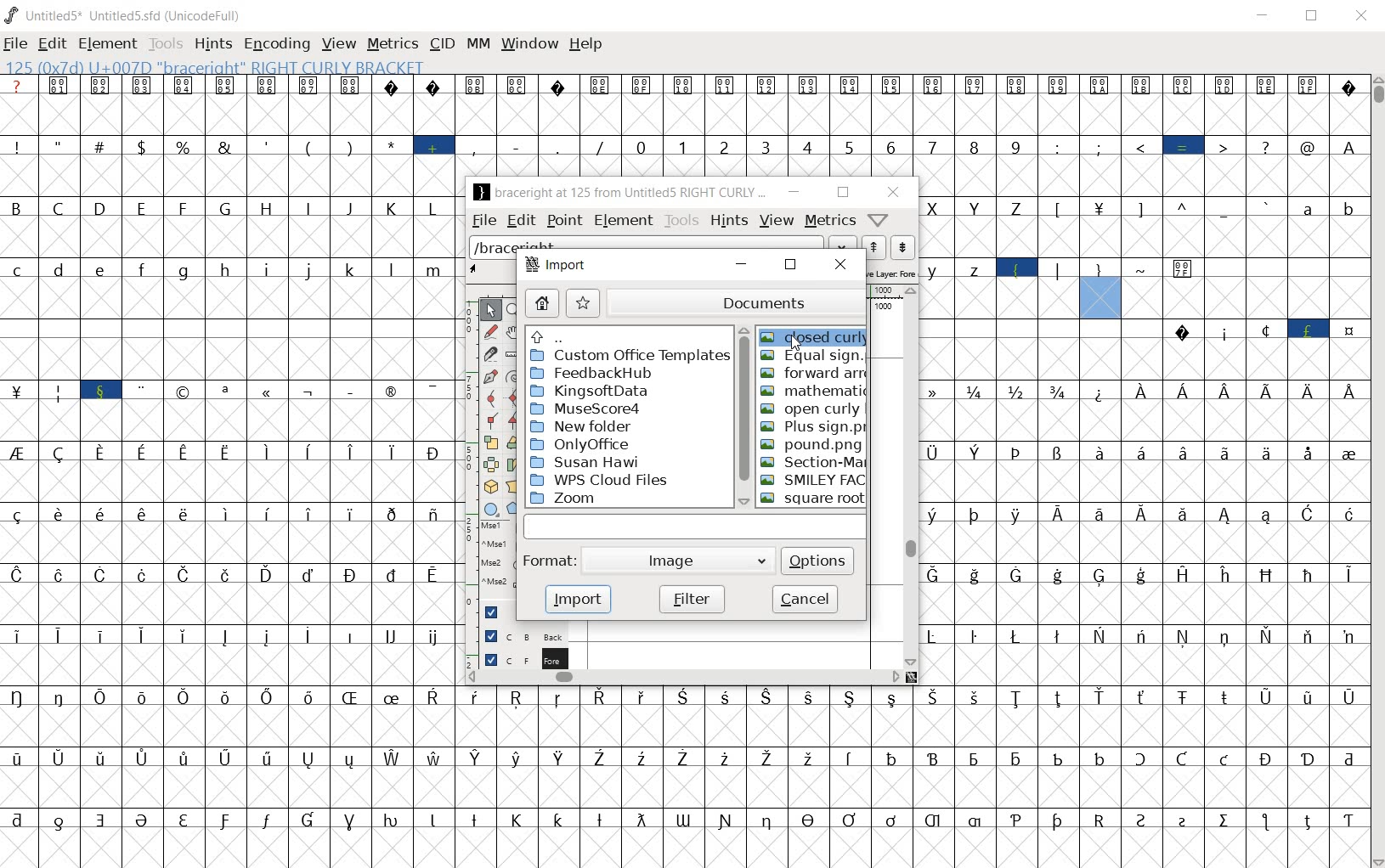 Image resolution: width=1385 pixels, height=868 pixels. I want to click on add a curve point always either horizontal or vertical, so click(513, 397).